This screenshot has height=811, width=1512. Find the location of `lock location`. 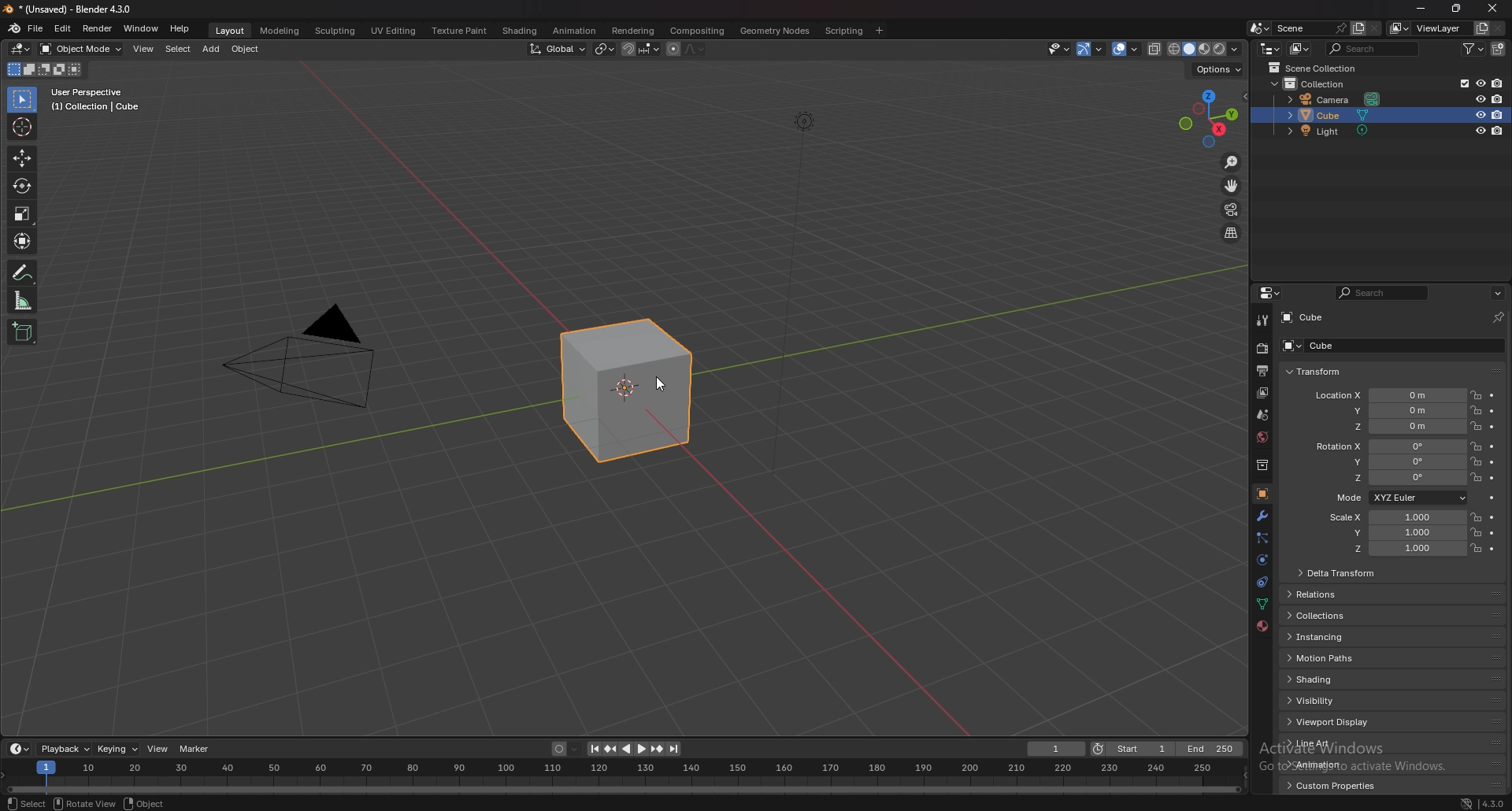

lock location is located at coordinates (1476, 547).